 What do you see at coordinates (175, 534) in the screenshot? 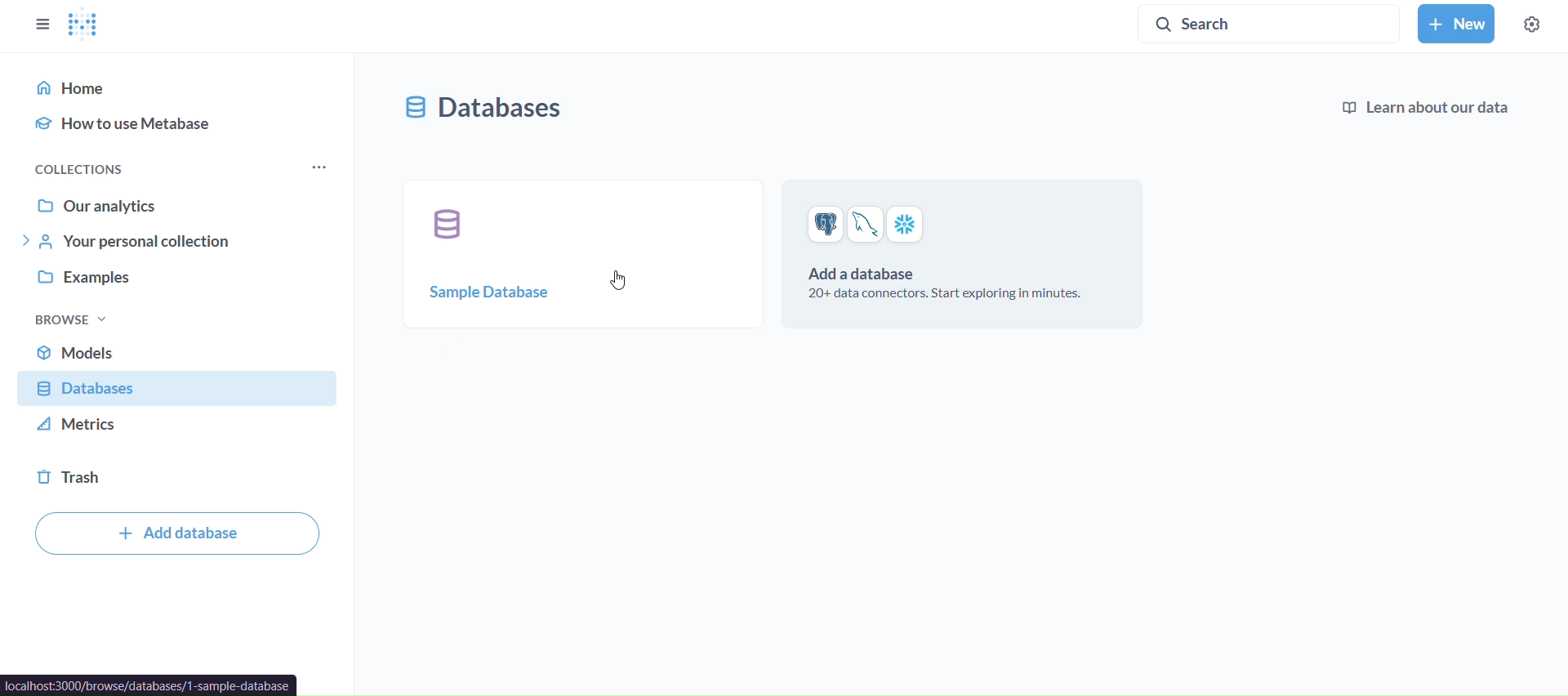
I see `add database` at bounding box center [175, 534].